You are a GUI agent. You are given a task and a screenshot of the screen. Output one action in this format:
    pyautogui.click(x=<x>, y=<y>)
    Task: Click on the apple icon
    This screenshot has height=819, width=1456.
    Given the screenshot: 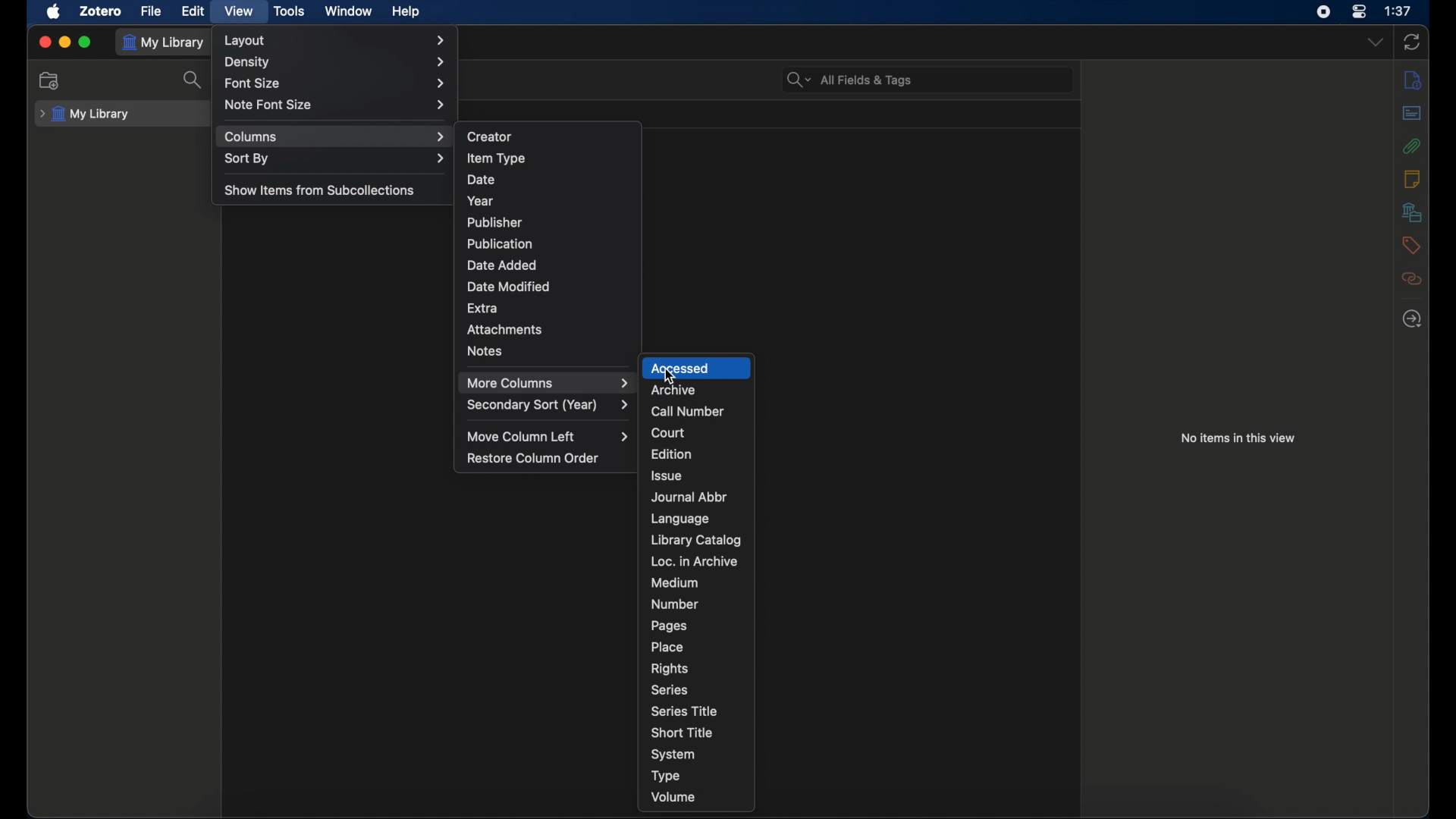 What is the action you would take?
    pyautogui.click(x=54, y=12)
    